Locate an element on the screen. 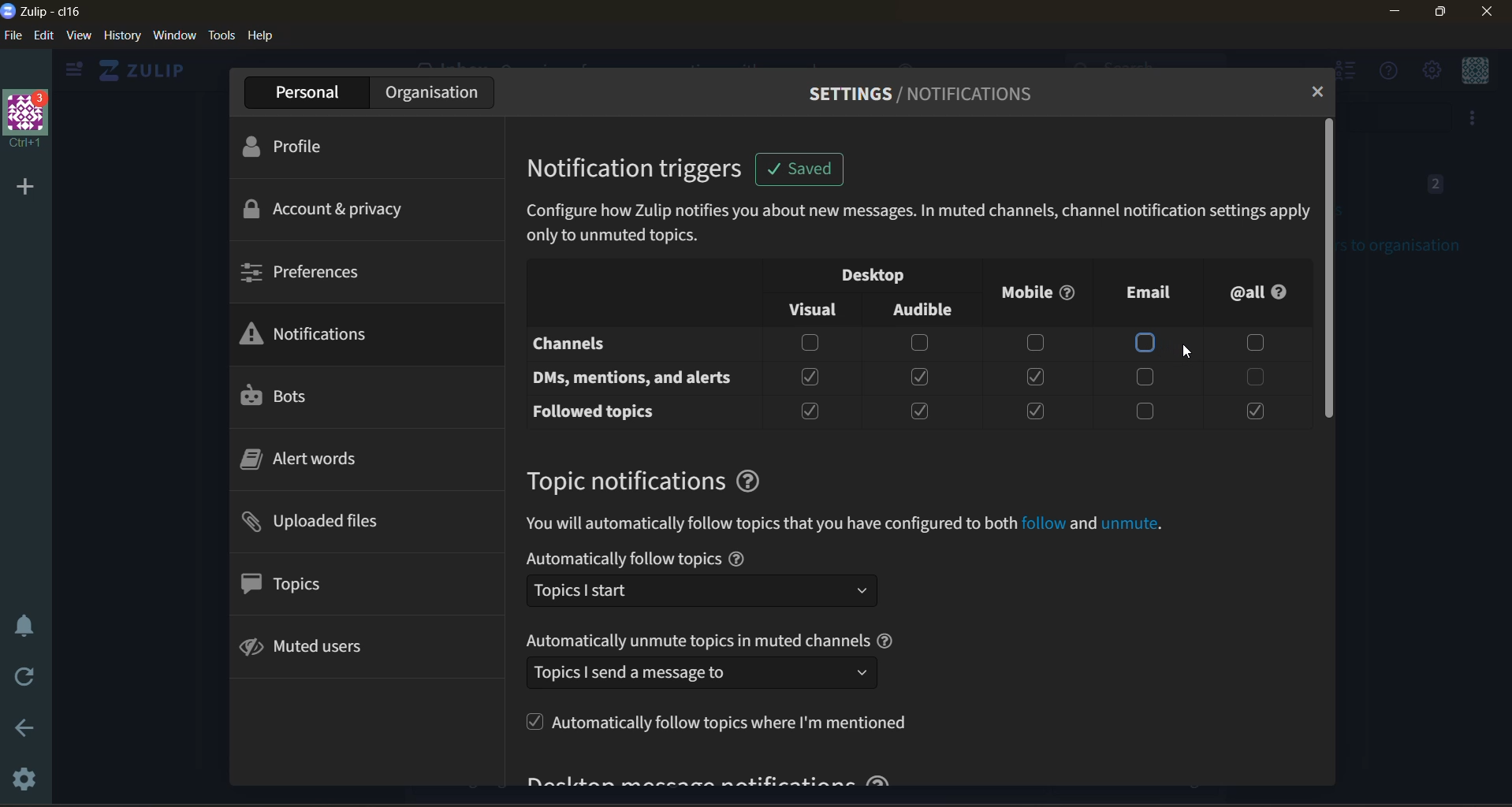  go back is located at coordinates (19, 731).